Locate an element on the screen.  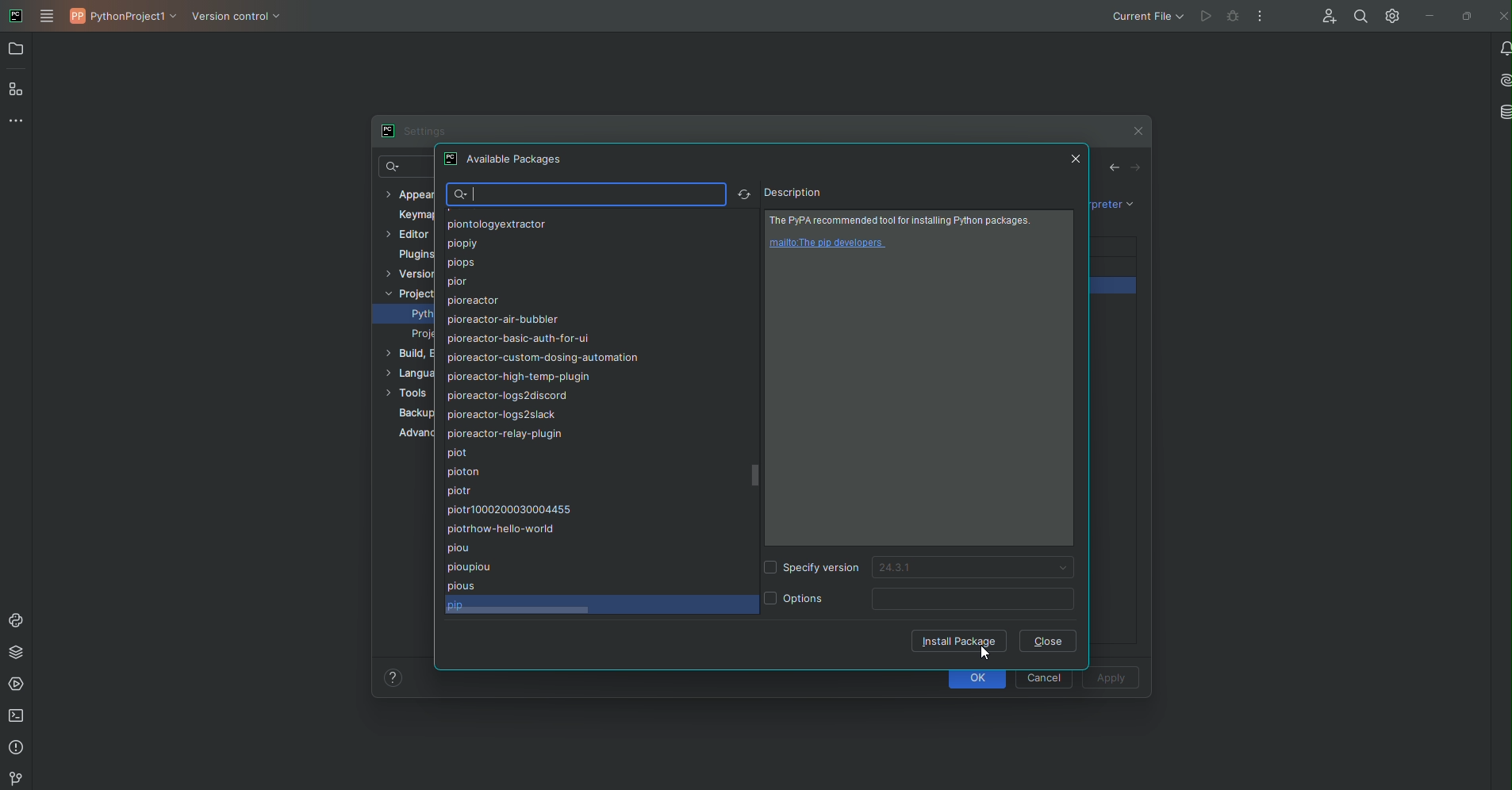
languages and Frameworks is located at coordinates (409, 372).